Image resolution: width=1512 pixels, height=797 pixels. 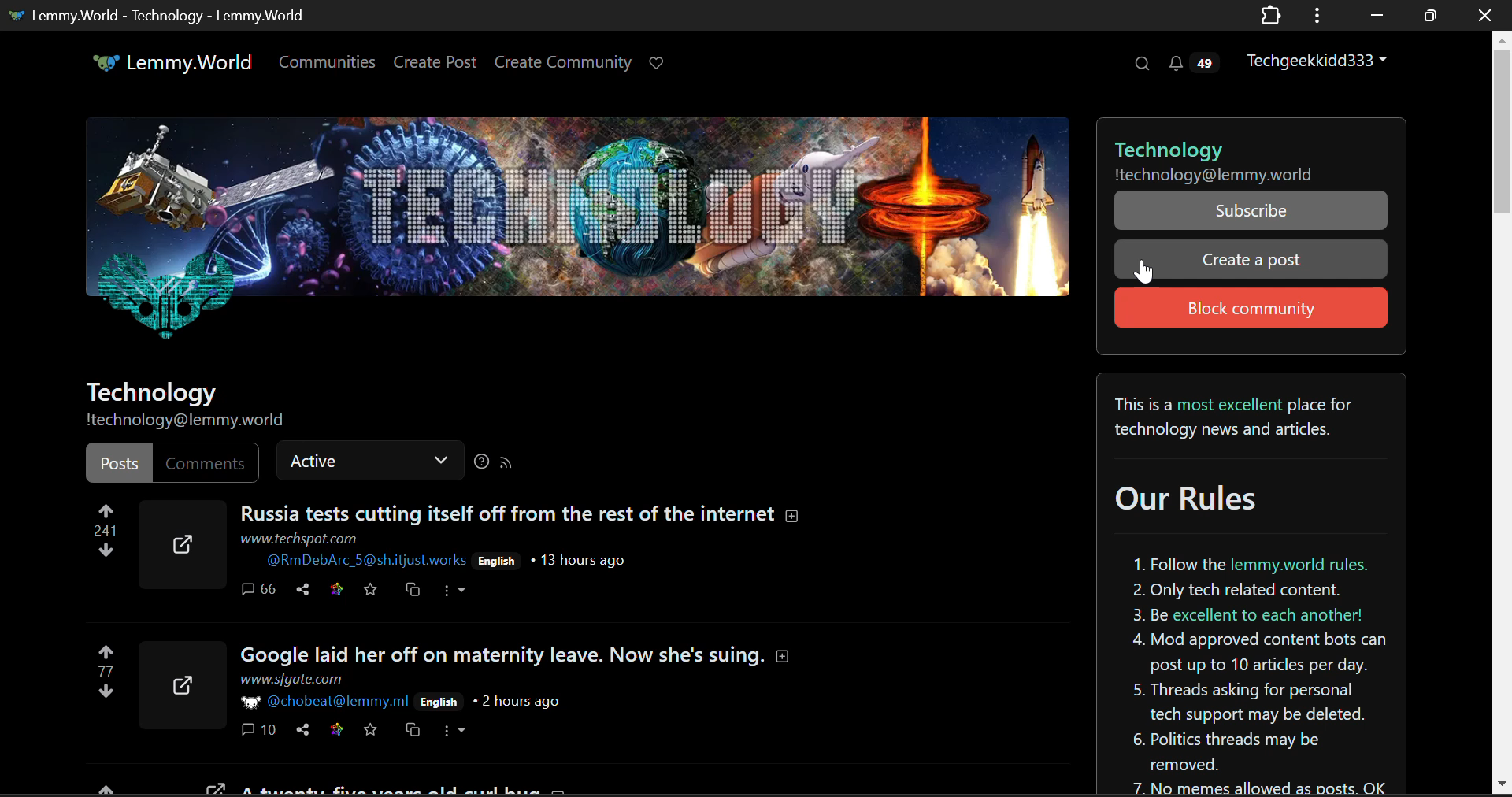 I want to click on Lemmy.World, so click(x=162, y=62).